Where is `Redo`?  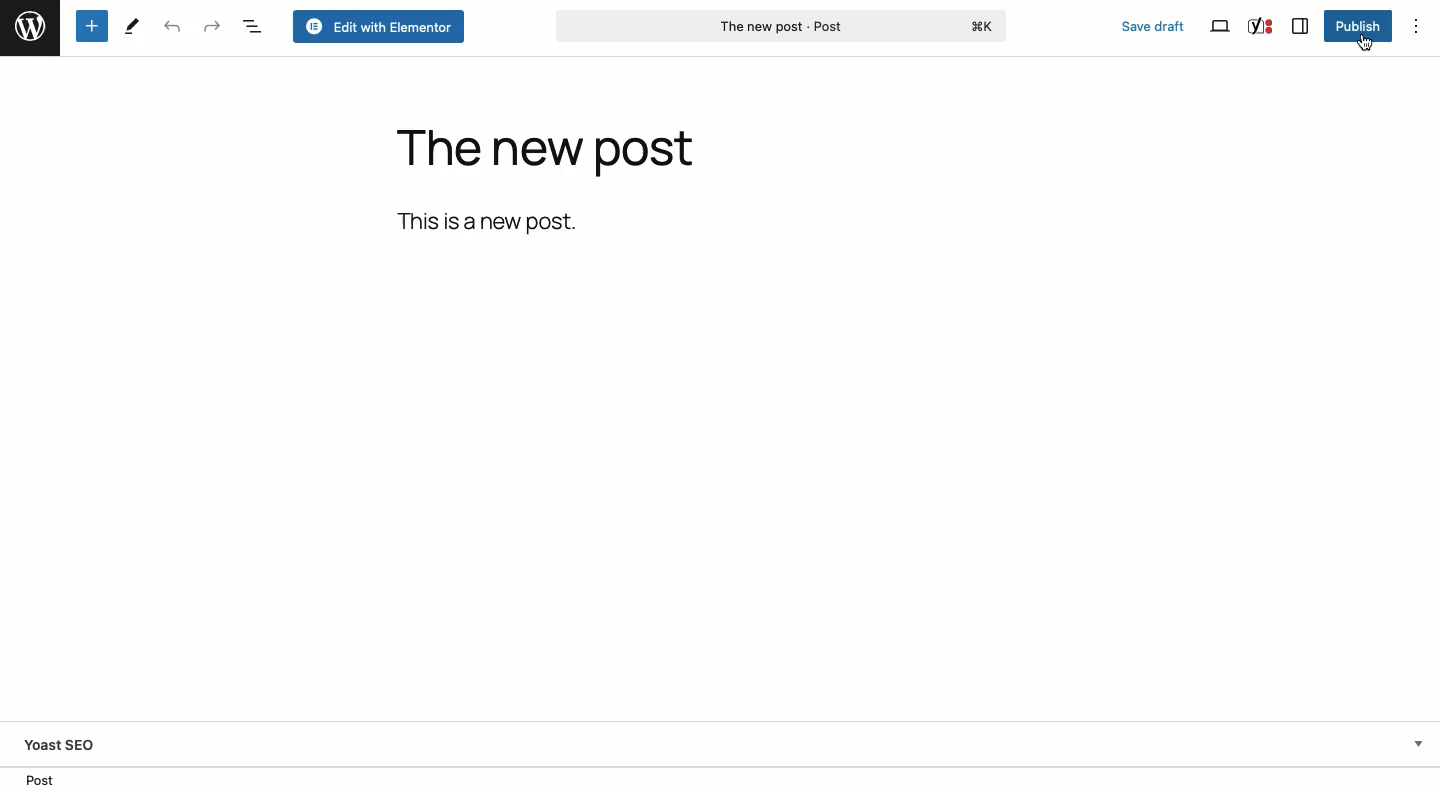 Redo is located at coordinates (213, 25).